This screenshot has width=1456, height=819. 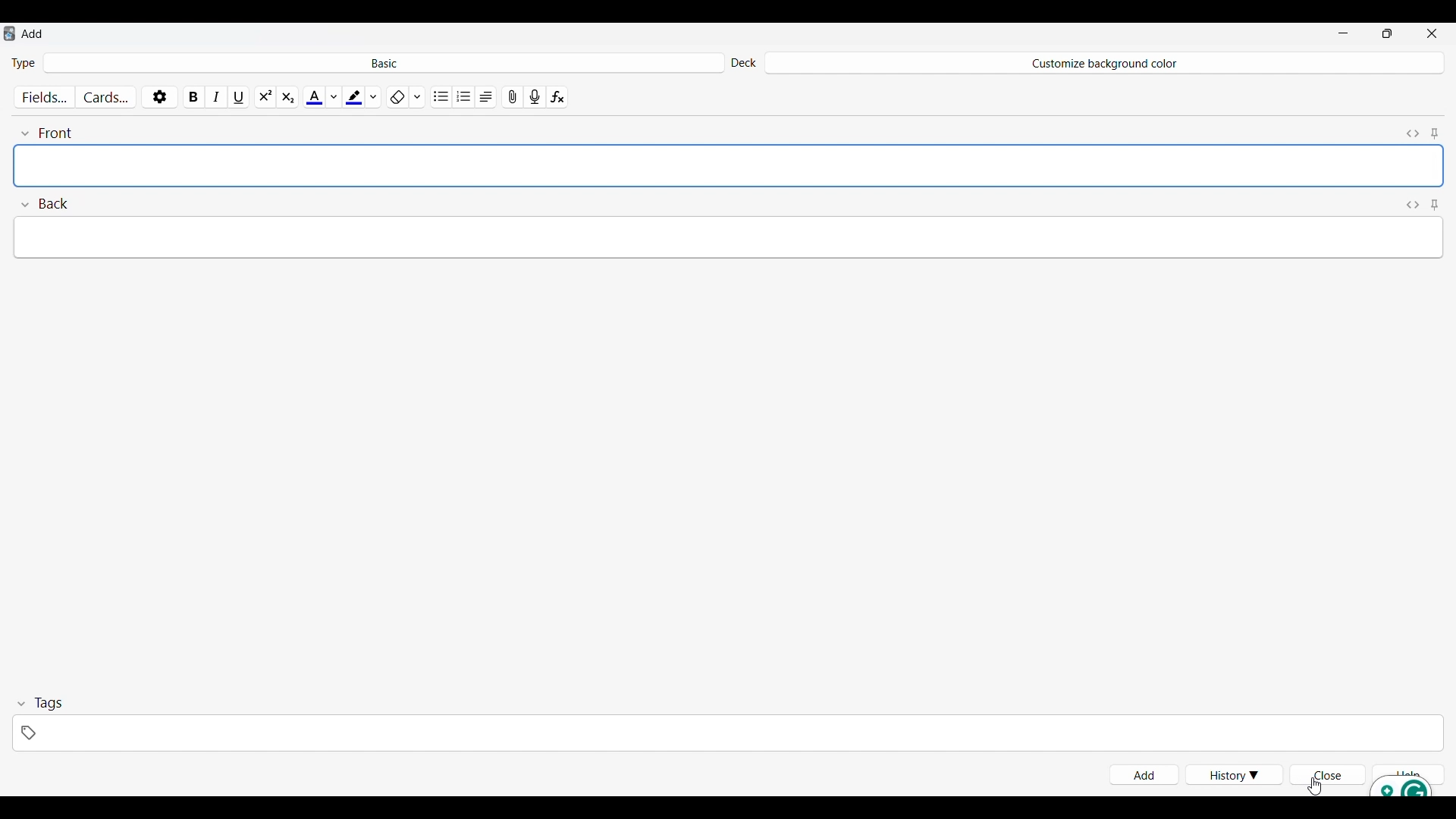 What do you see at coordinates (1329, 775) in the screenshot?
I see `` at bounding box center [1329, 775].